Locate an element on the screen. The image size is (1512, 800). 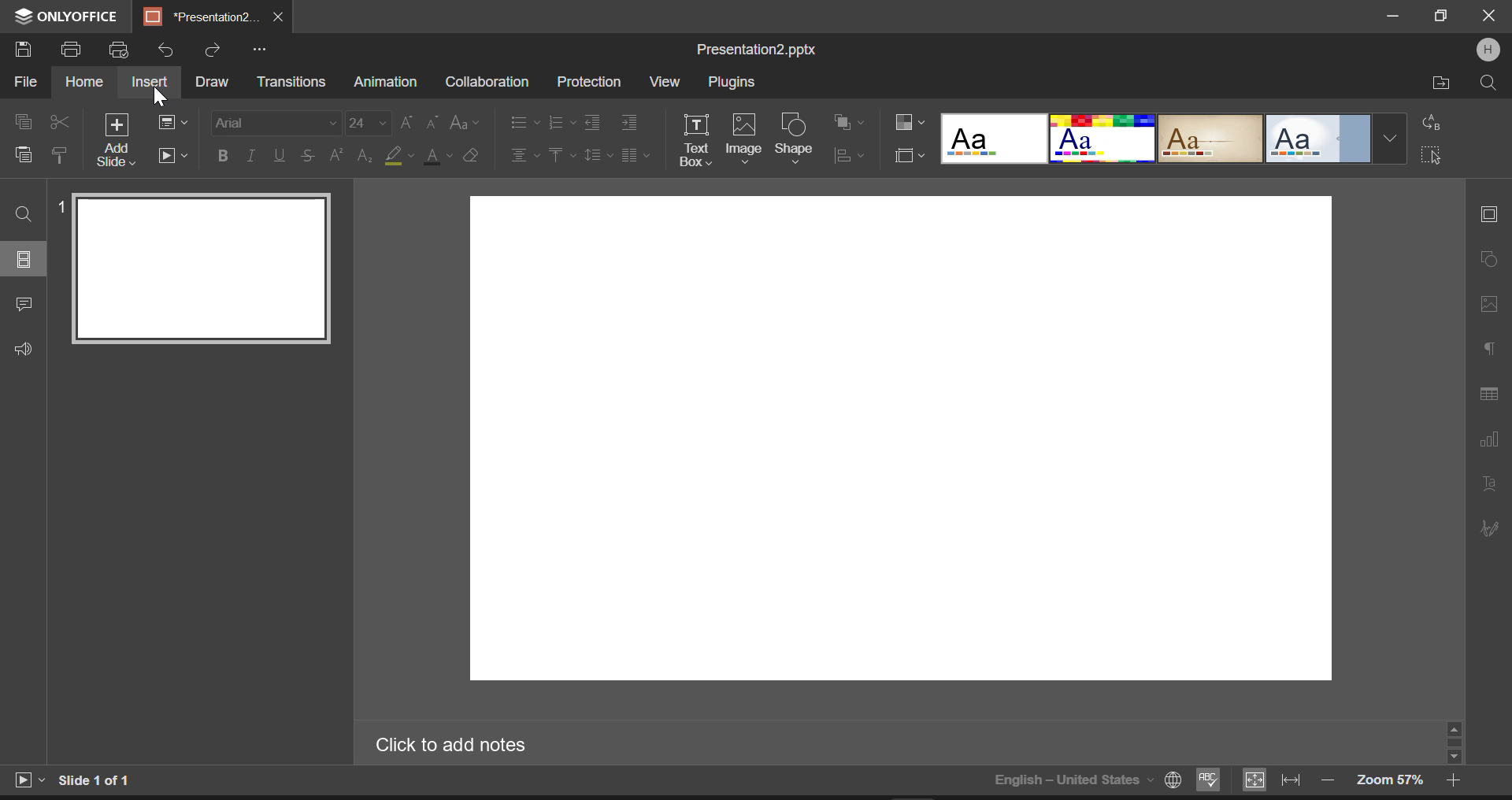
Open file Location is located at coordinates (1442, 83).